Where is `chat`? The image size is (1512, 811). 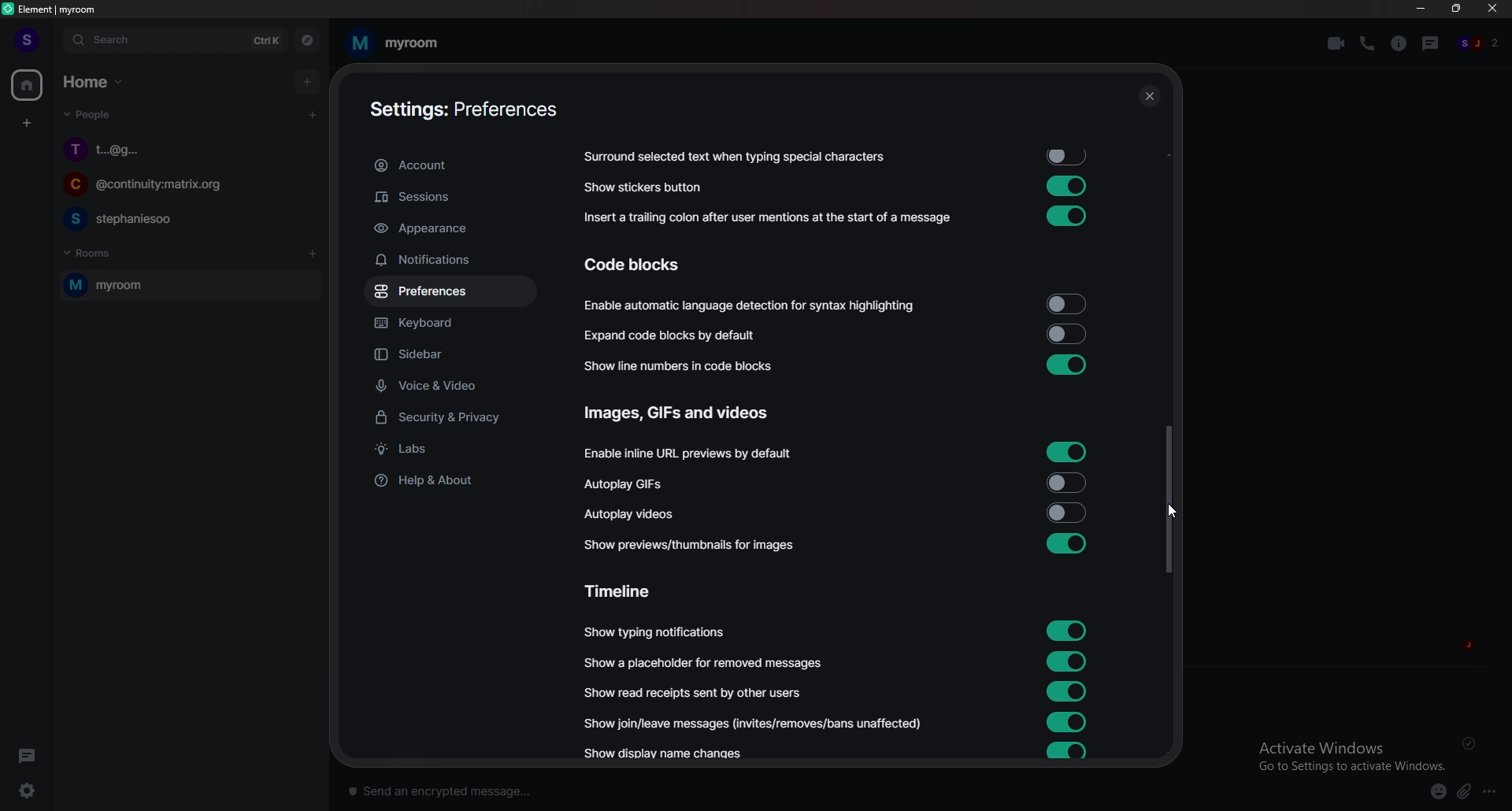
chat is located at coordinates (188, 149).